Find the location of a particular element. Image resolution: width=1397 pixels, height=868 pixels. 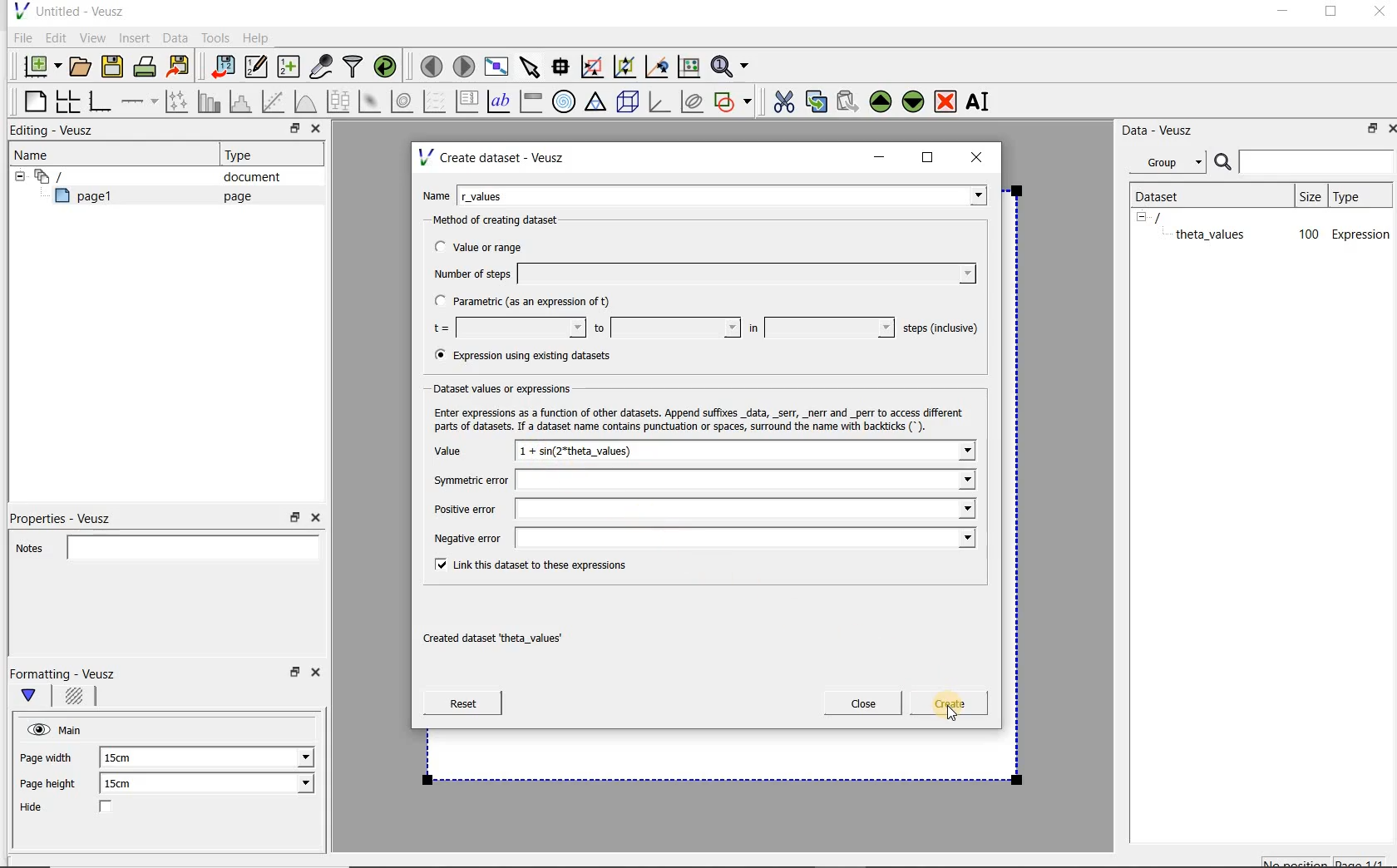

remove the selected widget is located at coordinates (946, 101).